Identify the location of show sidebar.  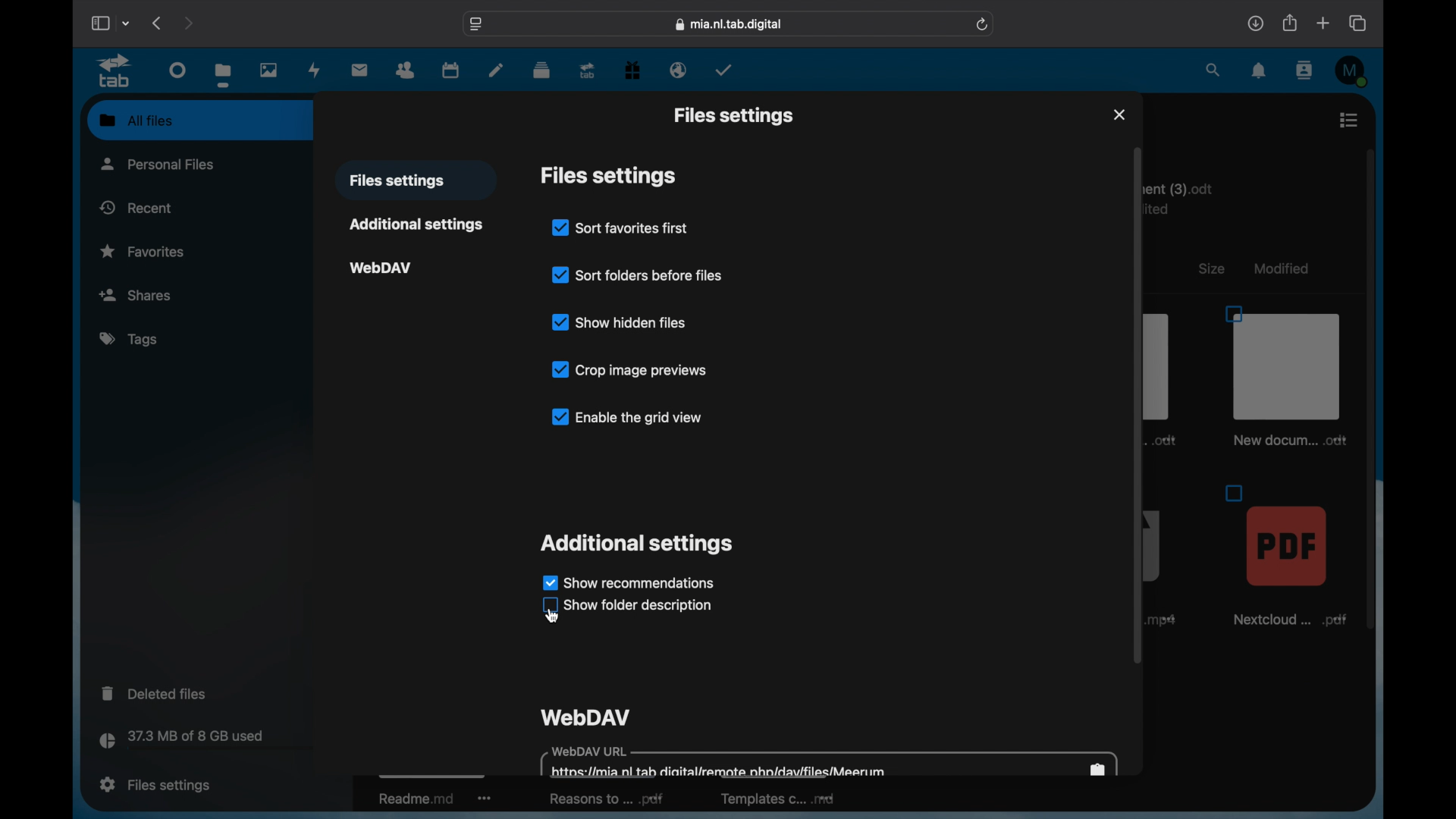
(99, 23).